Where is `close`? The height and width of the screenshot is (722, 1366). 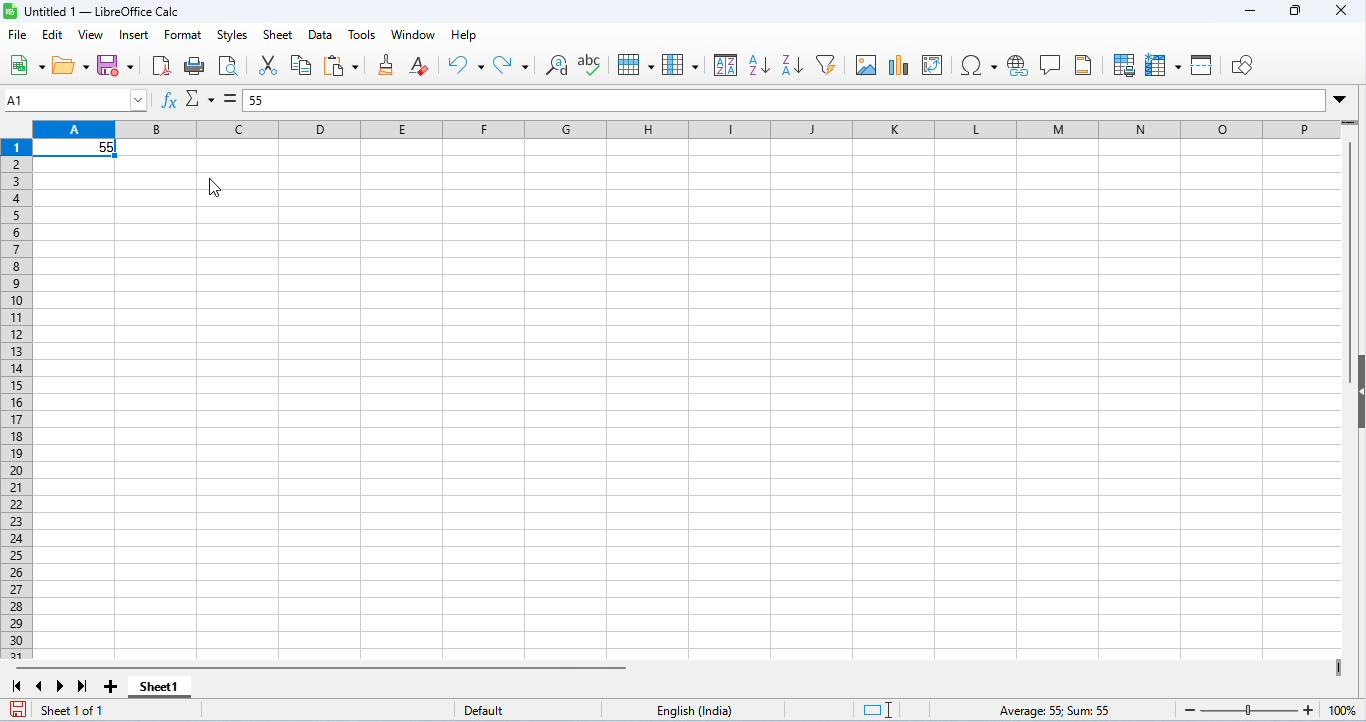
close is located at coordinates (1340, 11).